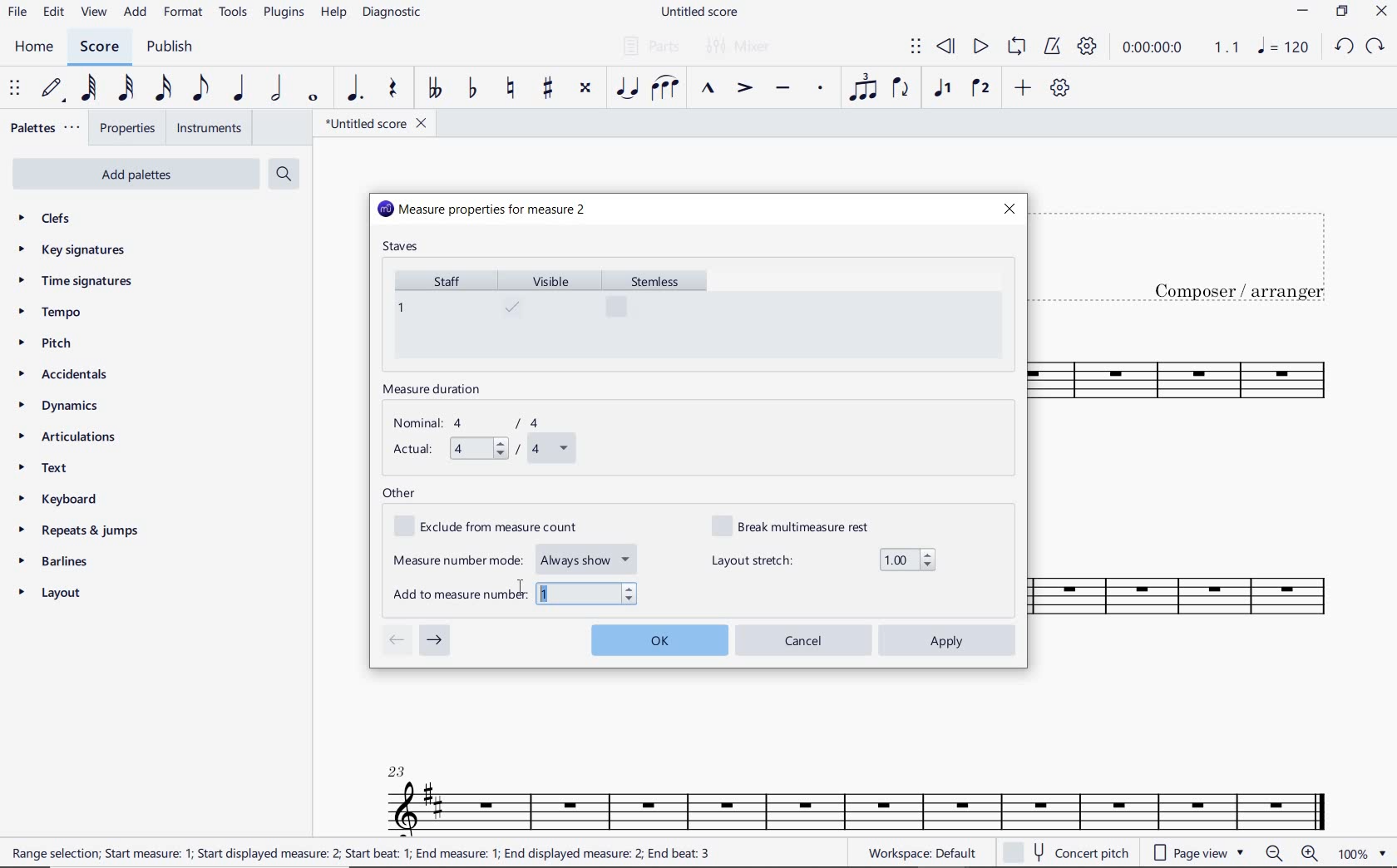 Image resolution: width=1397 pixels, height=868 pixels. What do you see at coordinates (185, 13) in the screenshot?
I see `FORMAT` at bounding box center [185, 13].